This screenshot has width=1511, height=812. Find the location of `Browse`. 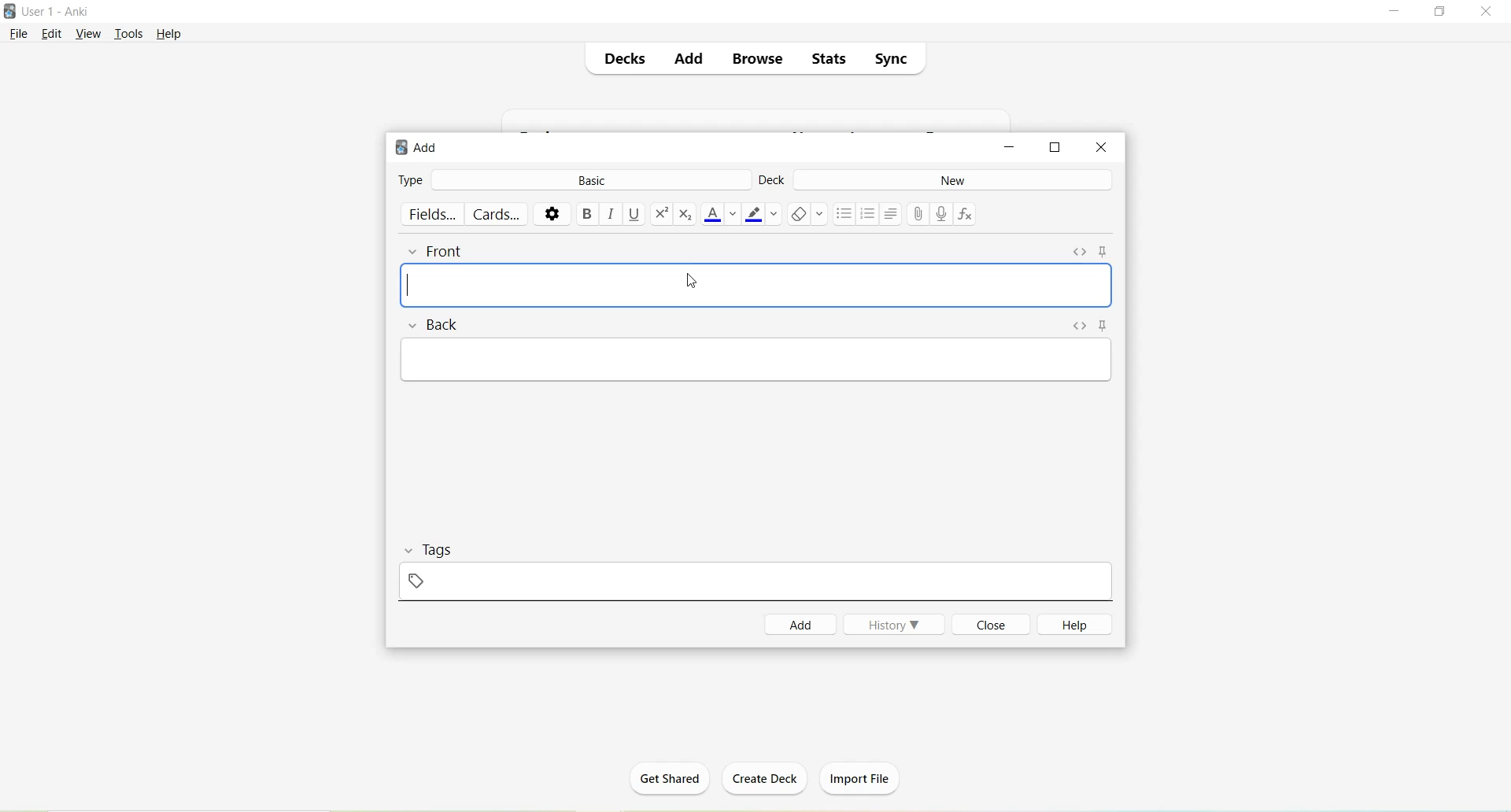

Browse is located at coordinates (751, 60).